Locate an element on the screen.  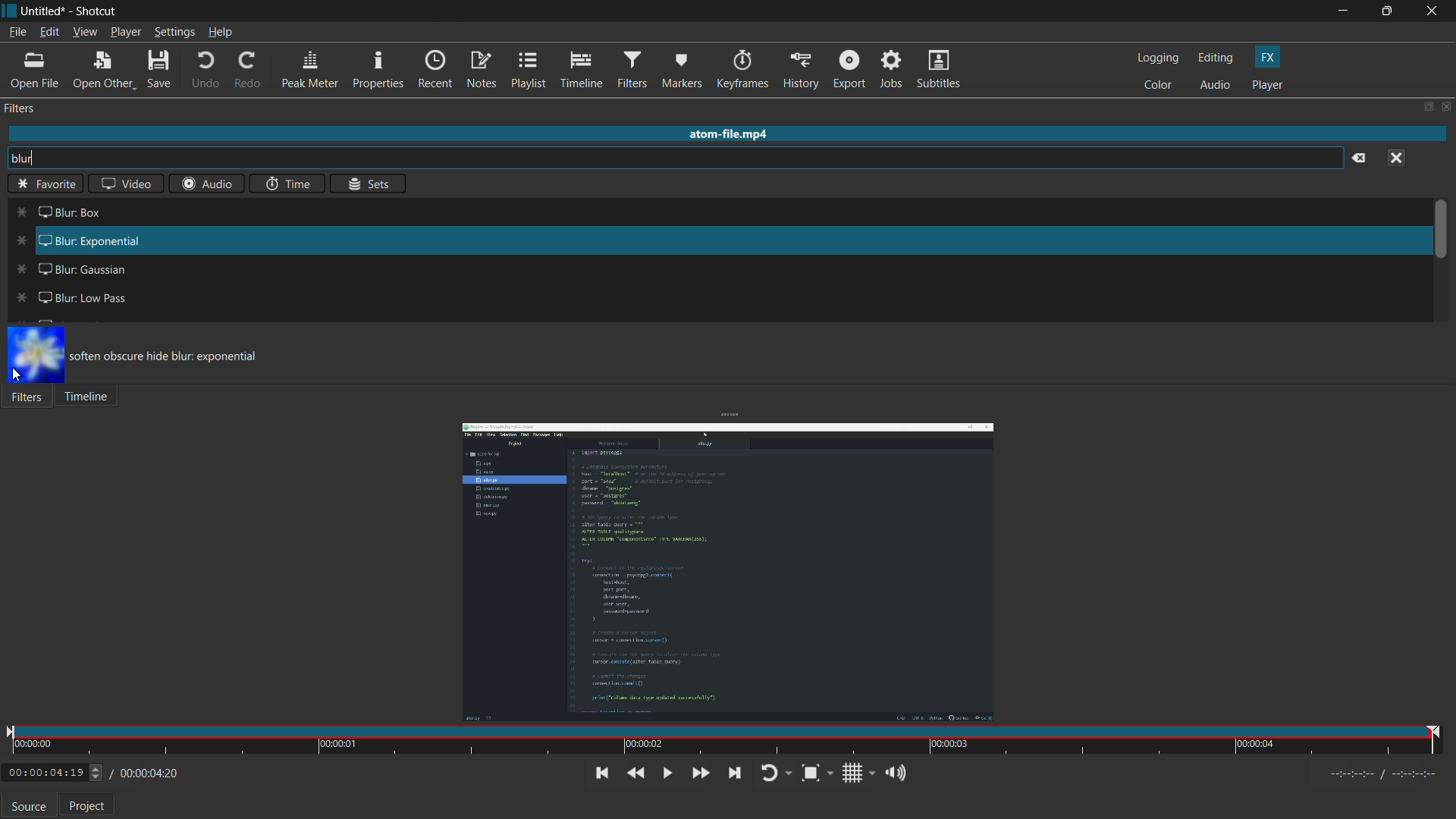
/ 00:00:04:20 is located at coordinates (145, 773).